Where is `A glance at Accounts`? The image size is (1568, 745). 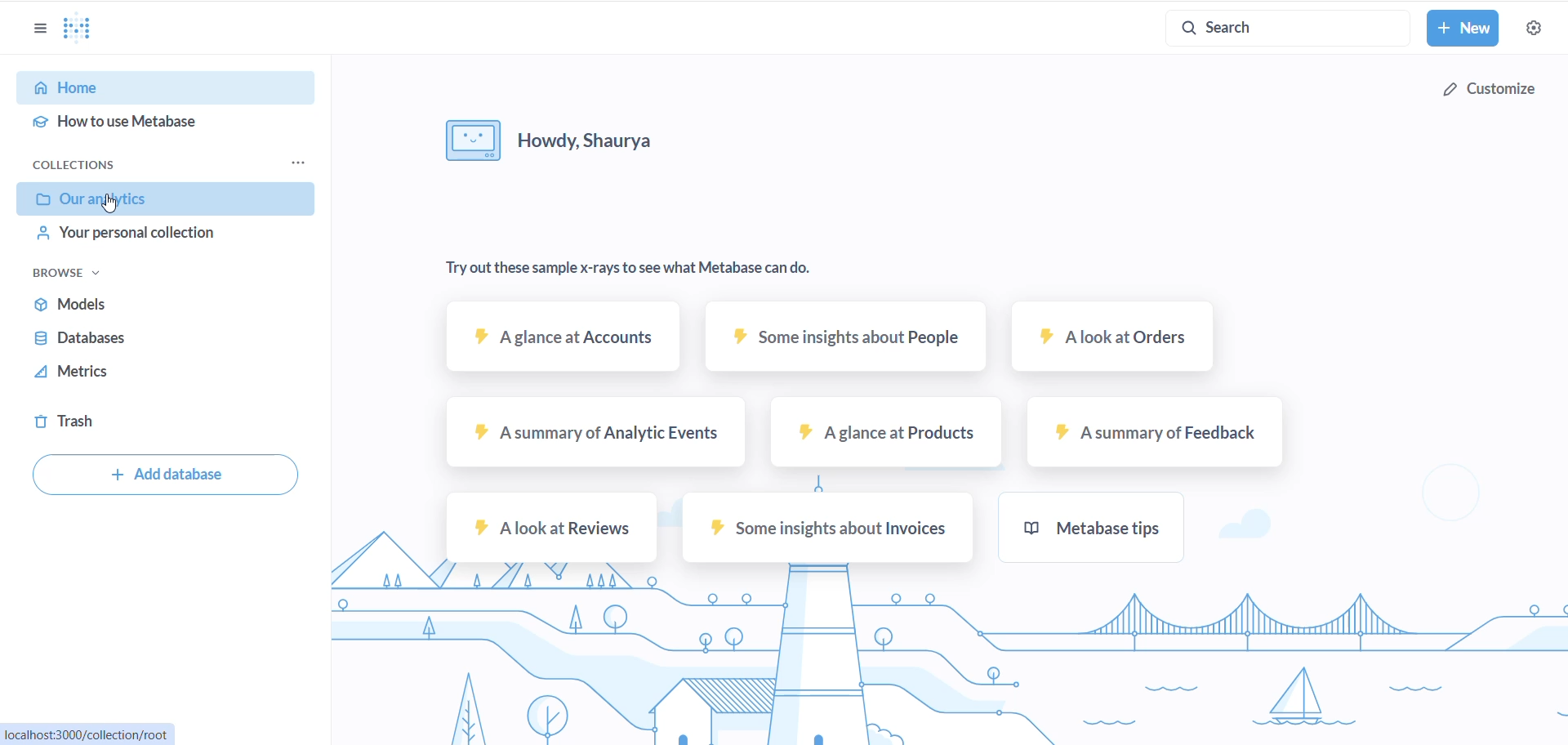
A glance at Accounts is located at coordinates (558, 341).